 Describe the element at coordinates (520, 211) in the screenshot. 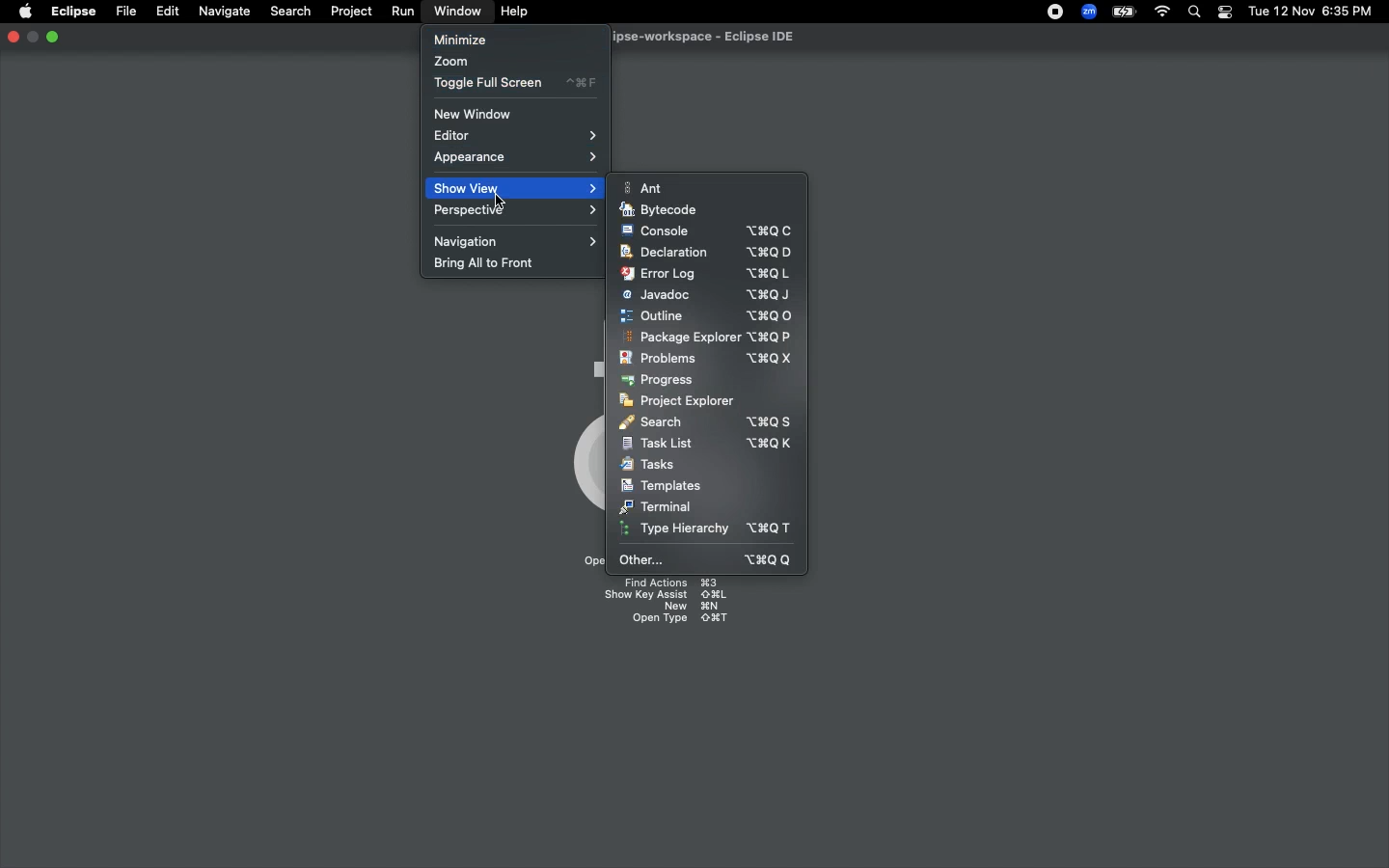

I see `Perspective` at that location.